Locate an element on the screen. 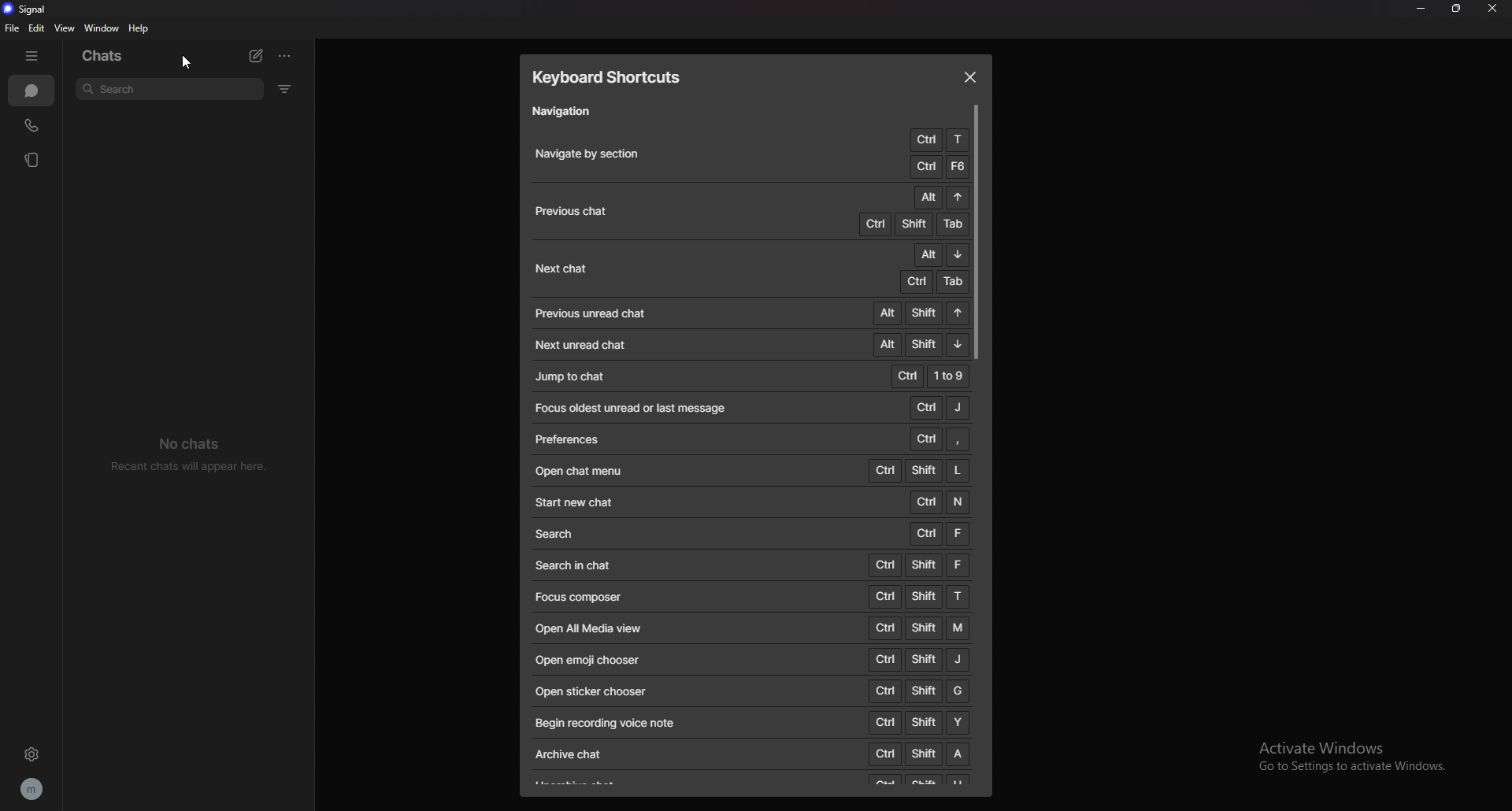 The width and height of the screenshot is (1512, 811). CTRl + N is located at coordinates (939, 502).